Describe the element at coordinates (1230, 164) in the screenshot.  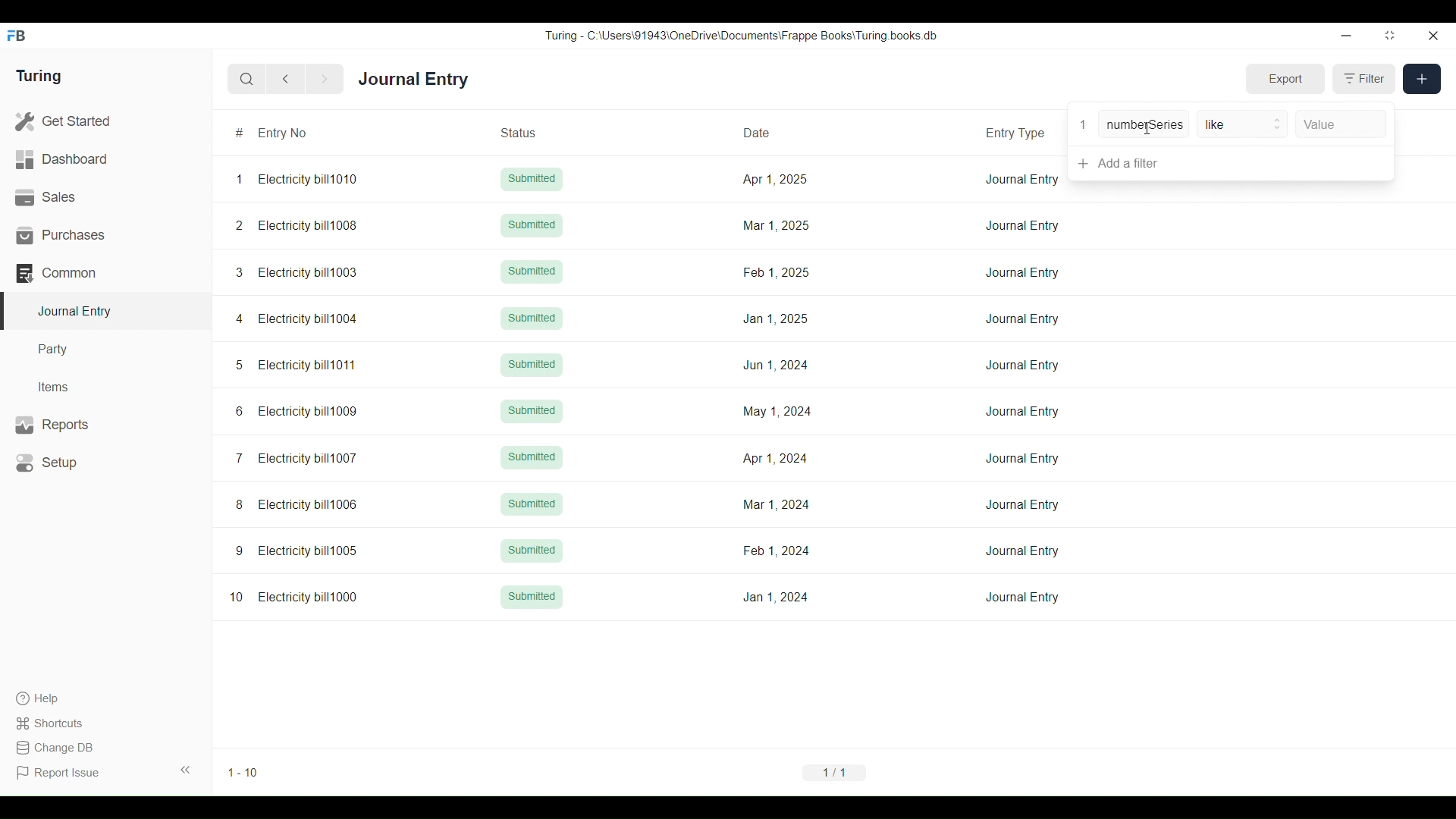
I see `Add a filter` at that location.